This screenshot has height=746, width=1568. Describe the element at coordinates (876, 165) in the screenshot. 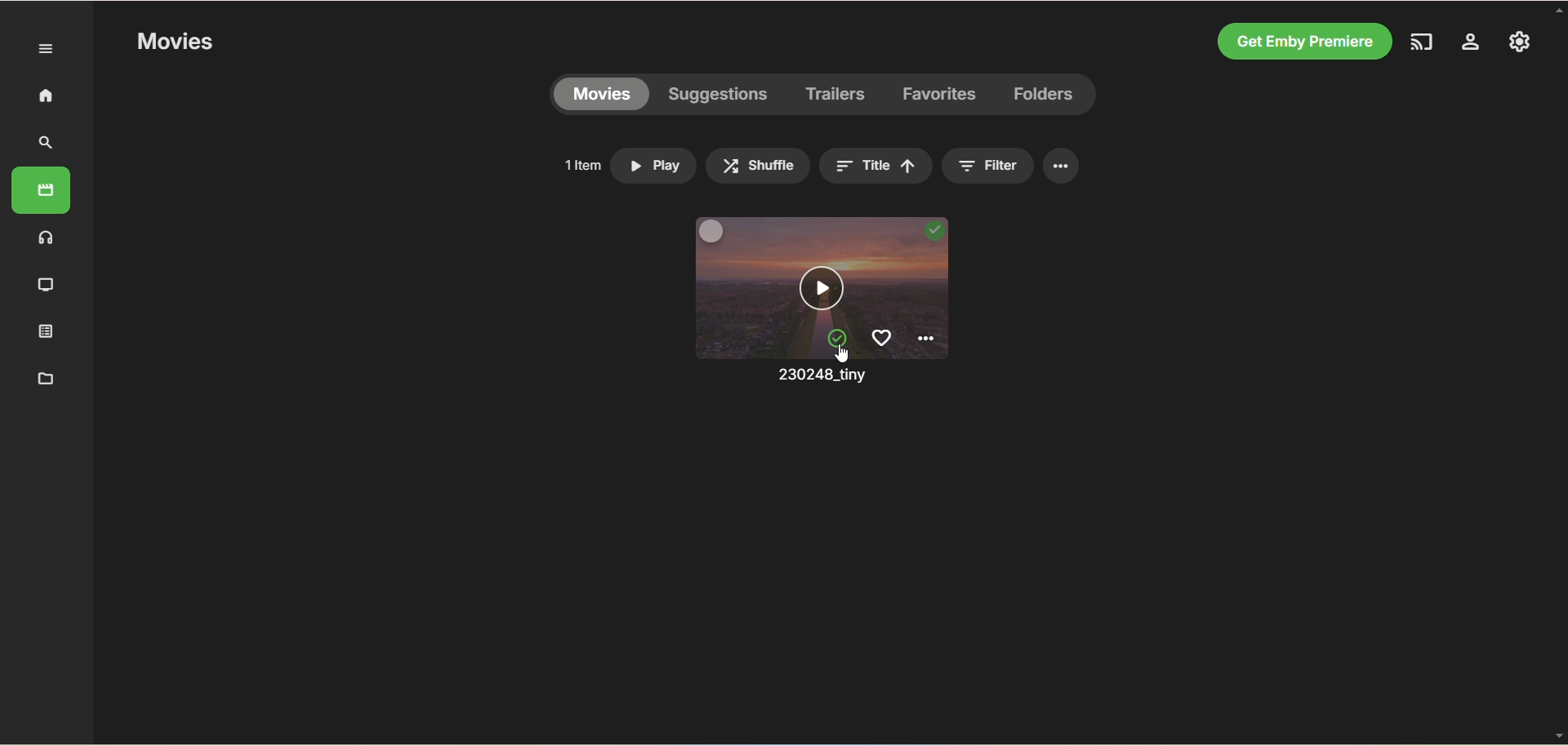

I see `title` at that location.